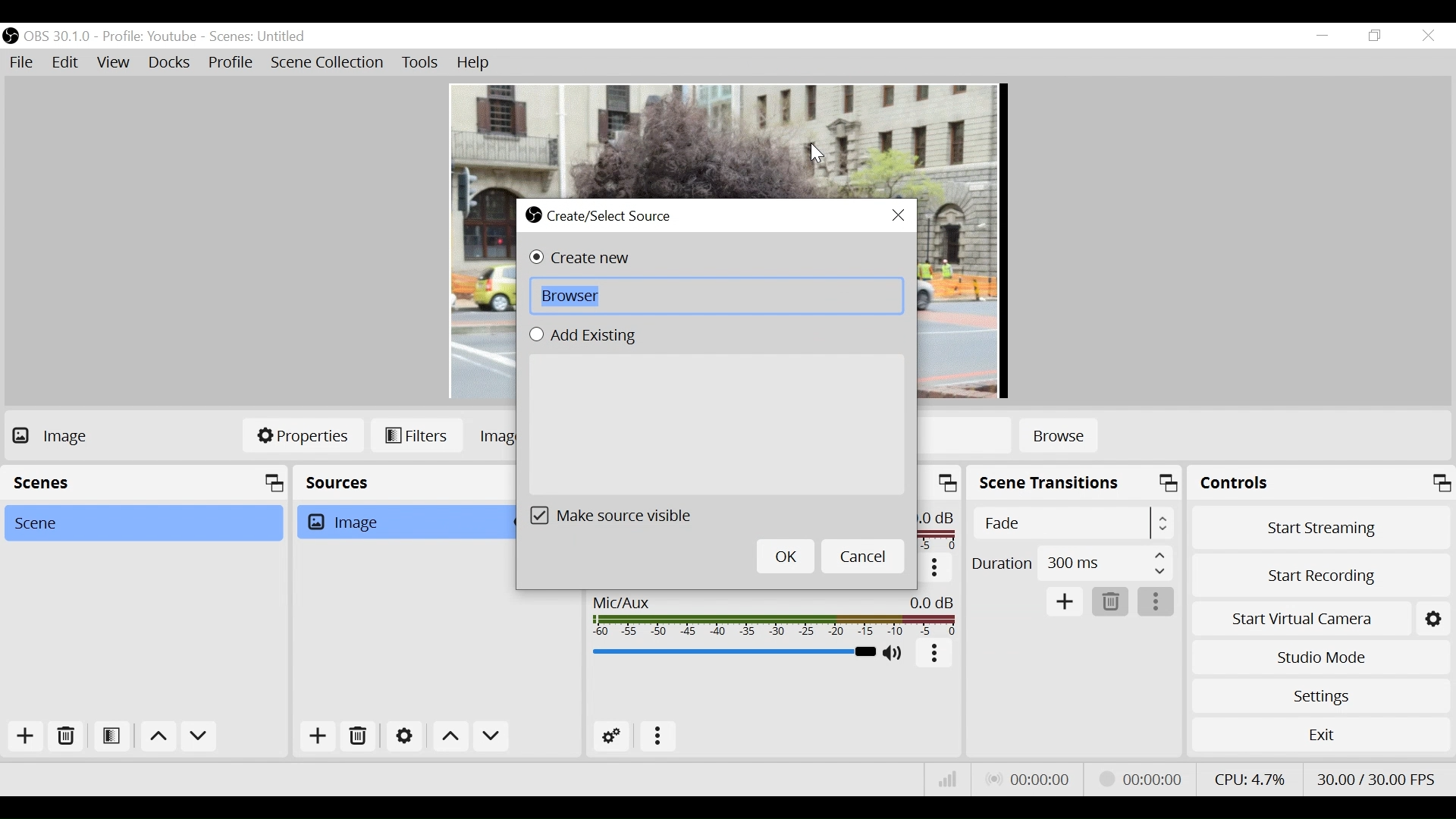 Image resolution: width=1456 pixels, height=819 pixels. I want to click on Docks, so click(169, 64).